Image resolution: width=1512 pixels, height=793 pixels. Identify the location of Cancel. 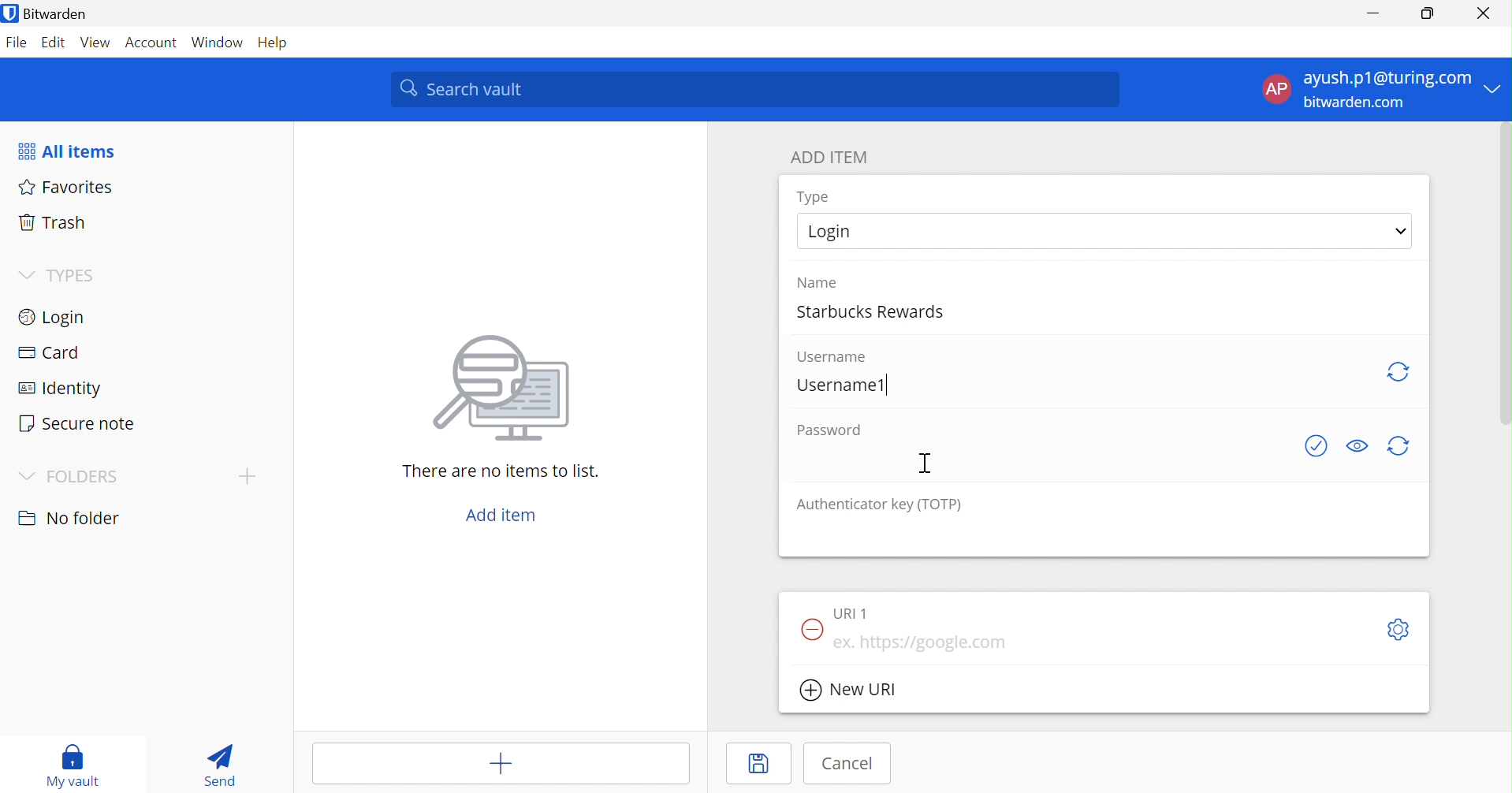
(851, 764).